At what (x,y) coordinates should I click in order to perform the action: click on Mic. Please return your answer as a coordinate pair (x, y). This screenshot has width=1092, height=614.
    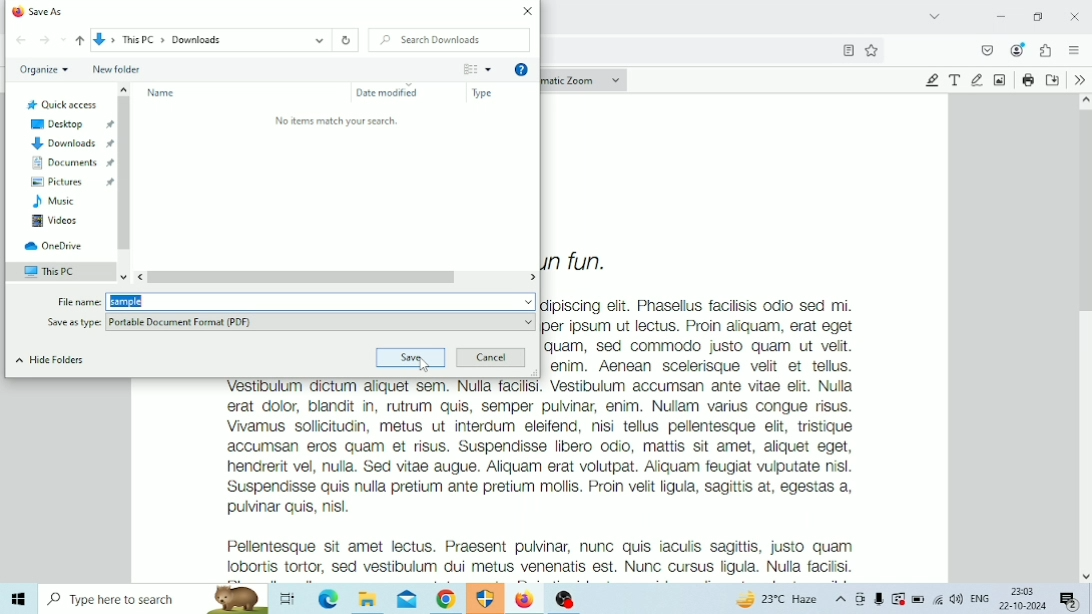
    Looking at the image, I should click on (879, 599).